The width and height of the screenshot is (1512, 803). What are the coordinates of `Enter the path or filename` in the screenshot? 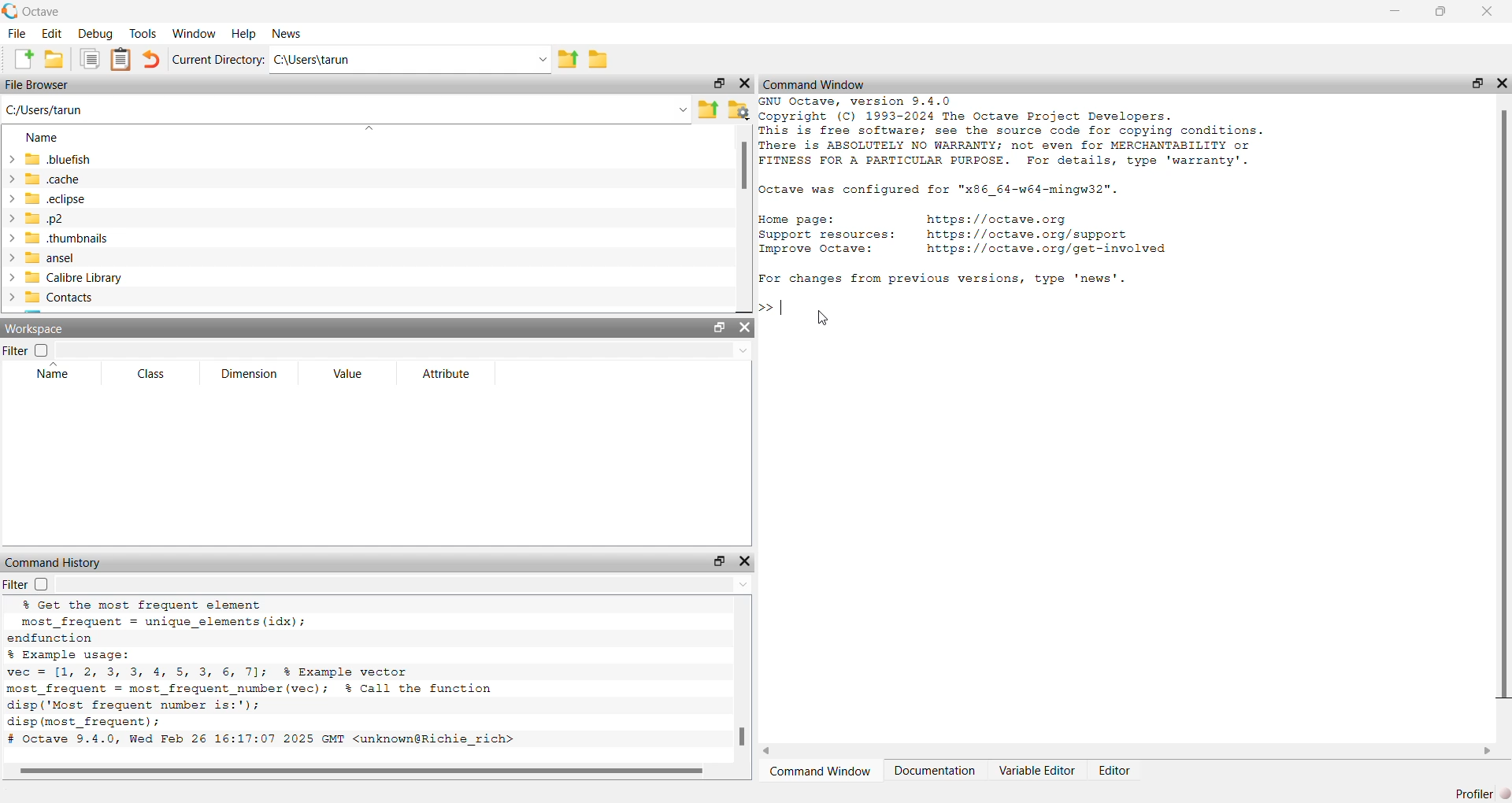 It's located at (683, 109).